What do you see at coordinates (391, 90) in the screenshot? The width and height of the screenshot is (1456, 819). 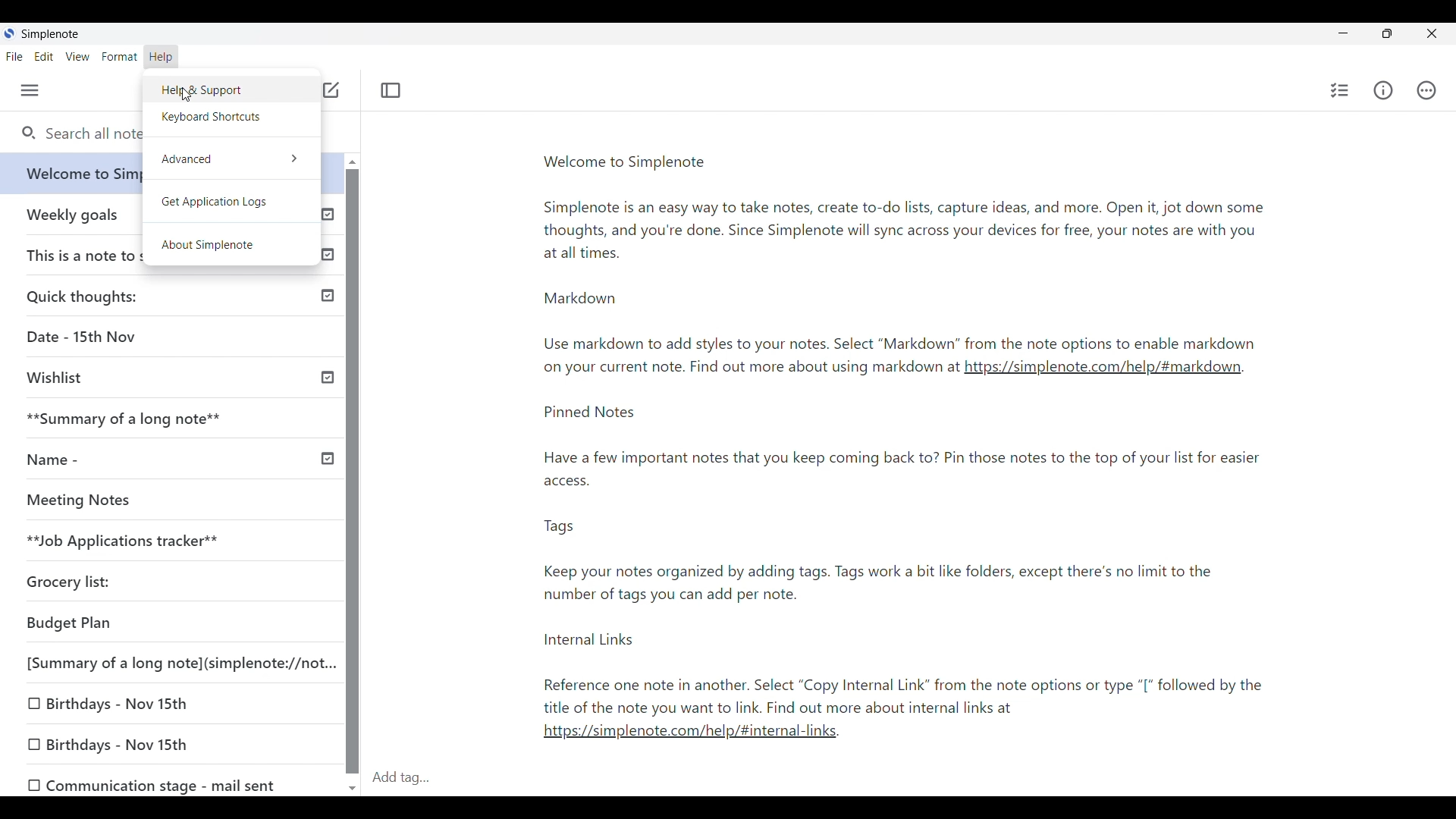 I see `Toggle focus mode` at bounding box center [391, 90].